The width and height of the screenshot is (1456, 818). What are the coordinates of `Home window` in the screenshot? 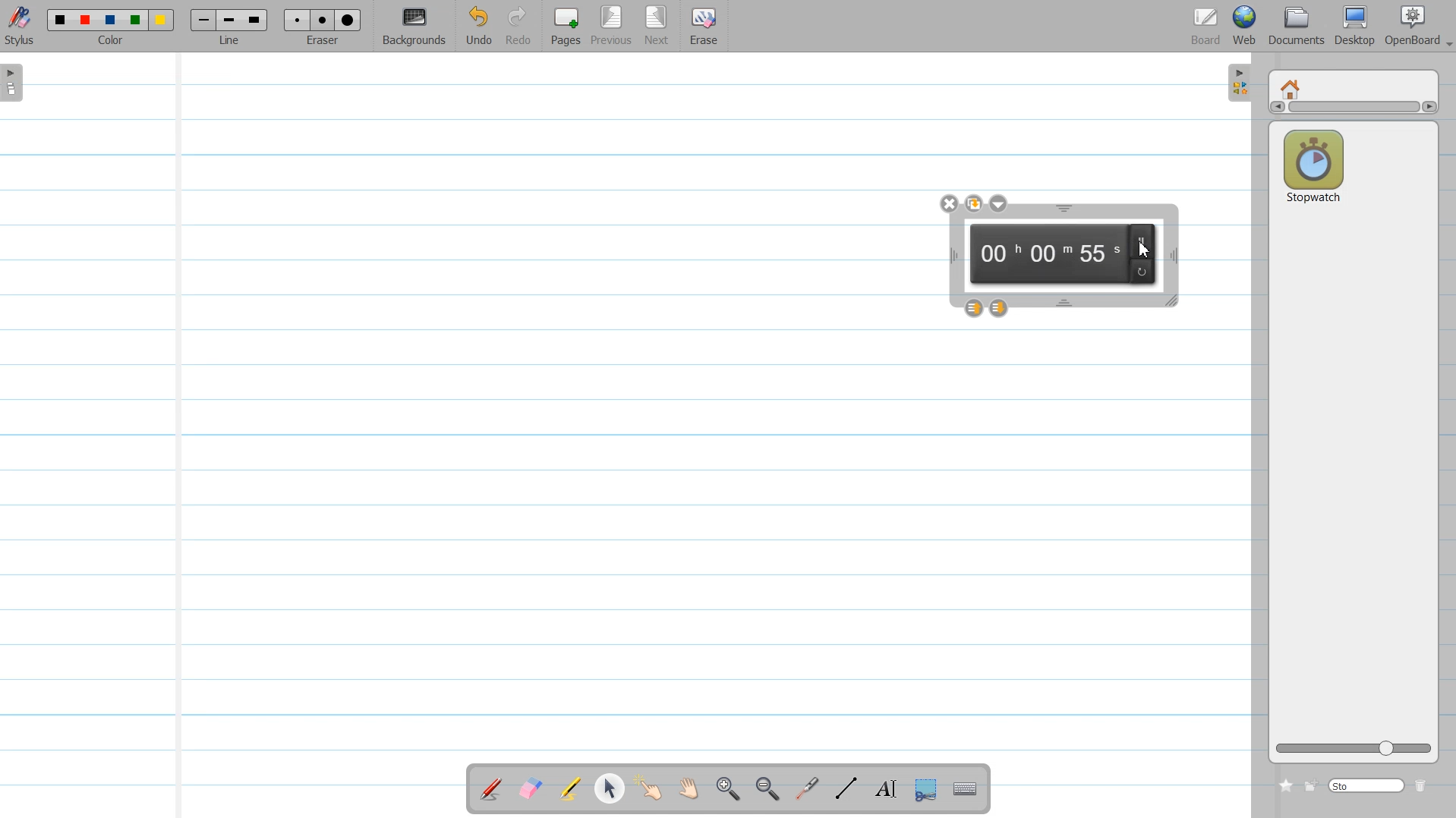 It's located at (1292, 87).